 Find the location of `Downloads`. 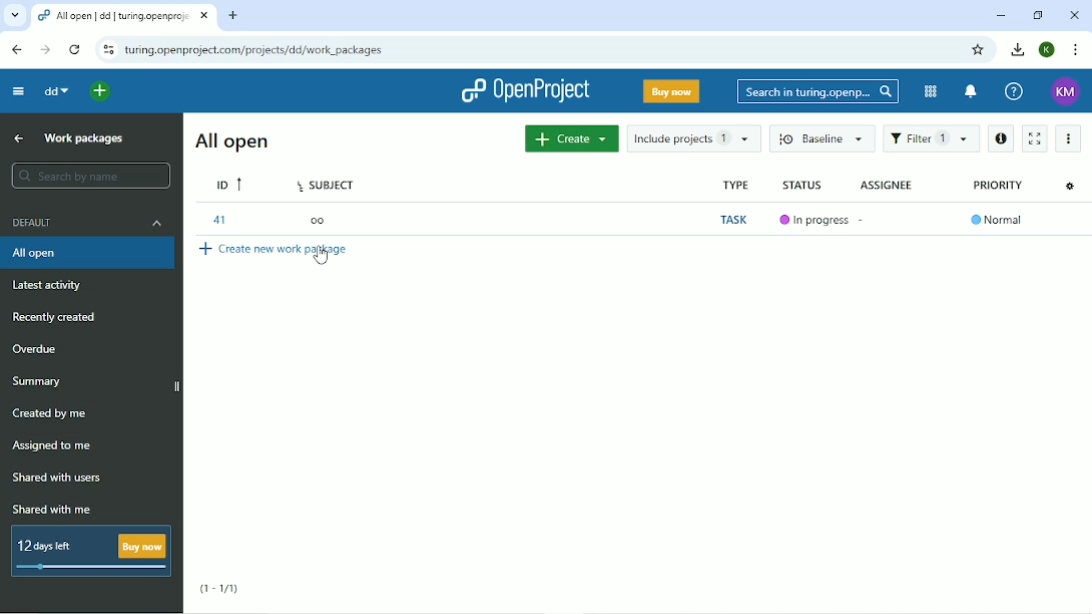

Downloads is located at coordinates (1018, 50).